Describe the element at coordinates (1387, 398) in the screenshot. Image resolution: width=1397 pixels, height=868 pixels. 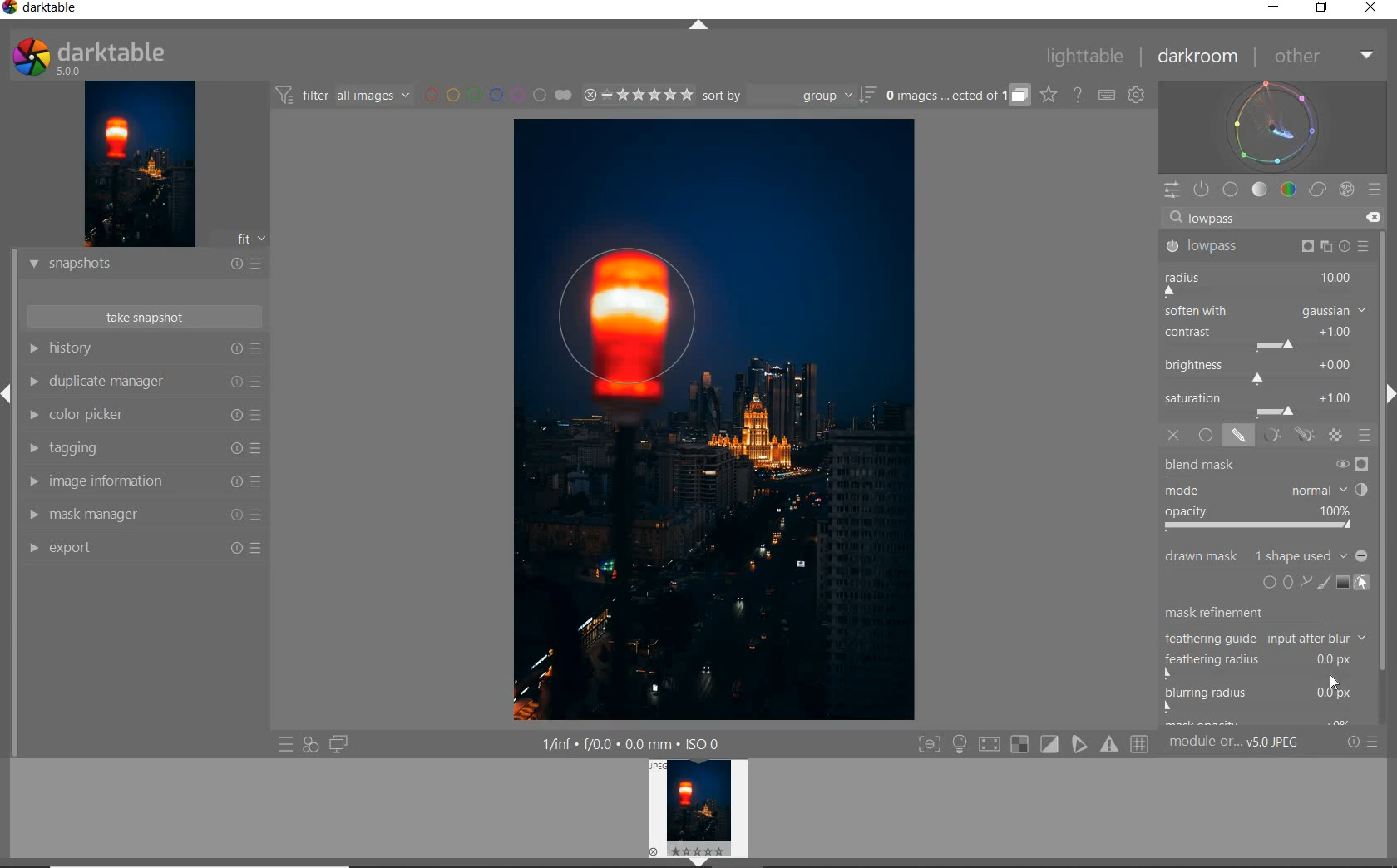
I see `expand/collapse` at that location.